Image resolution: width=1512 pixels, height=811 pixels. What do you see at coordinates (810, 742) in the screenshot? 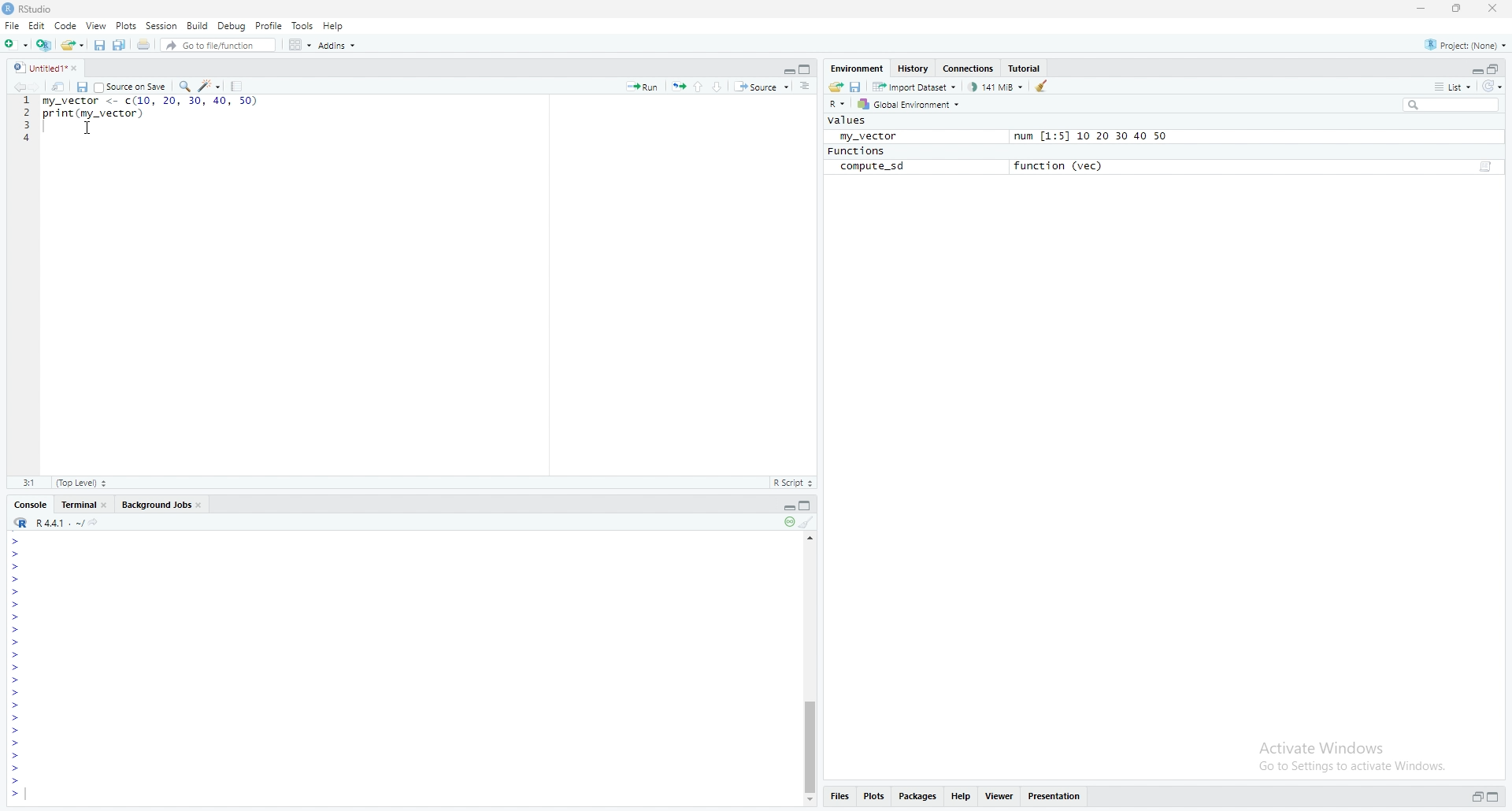
I see `Scrollbar` at bounding box center [810, 742].